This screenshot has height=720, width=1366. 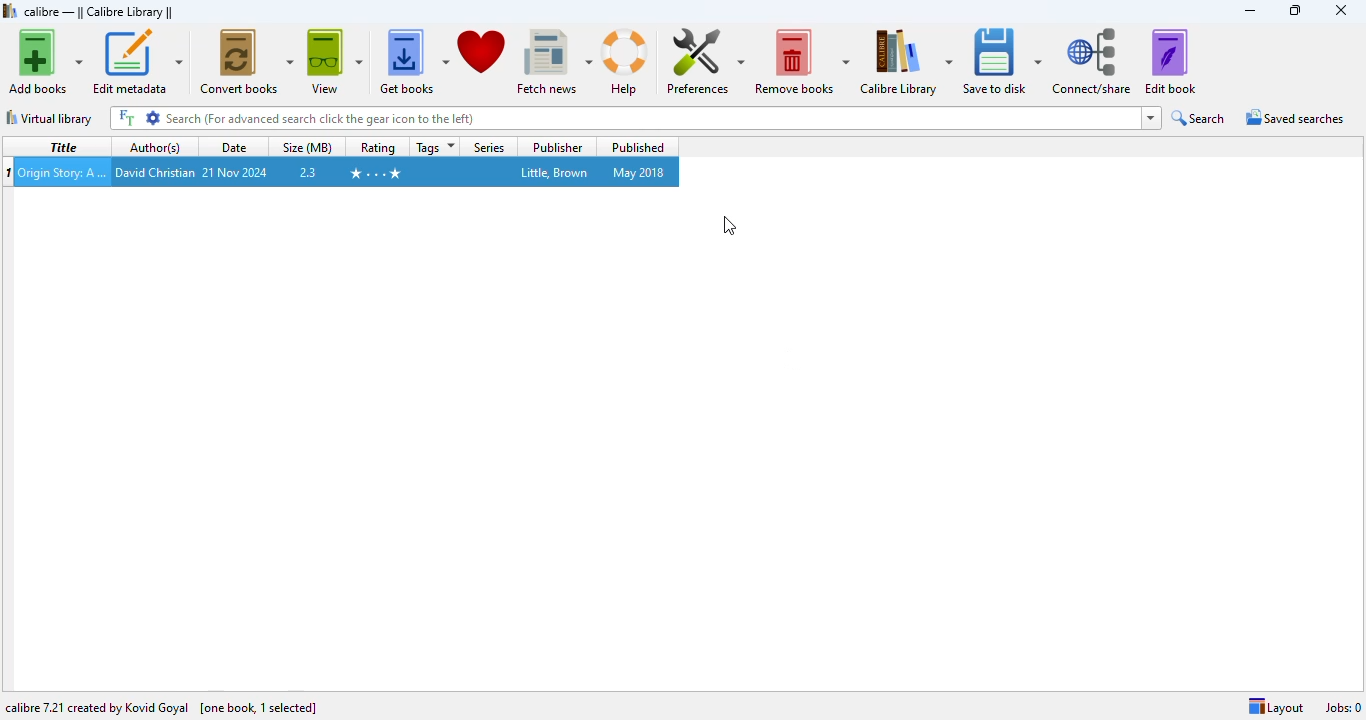 What do you see at coordinates (64, 147) in the screenshot?
I see `title` at bounding box center [64, 147].